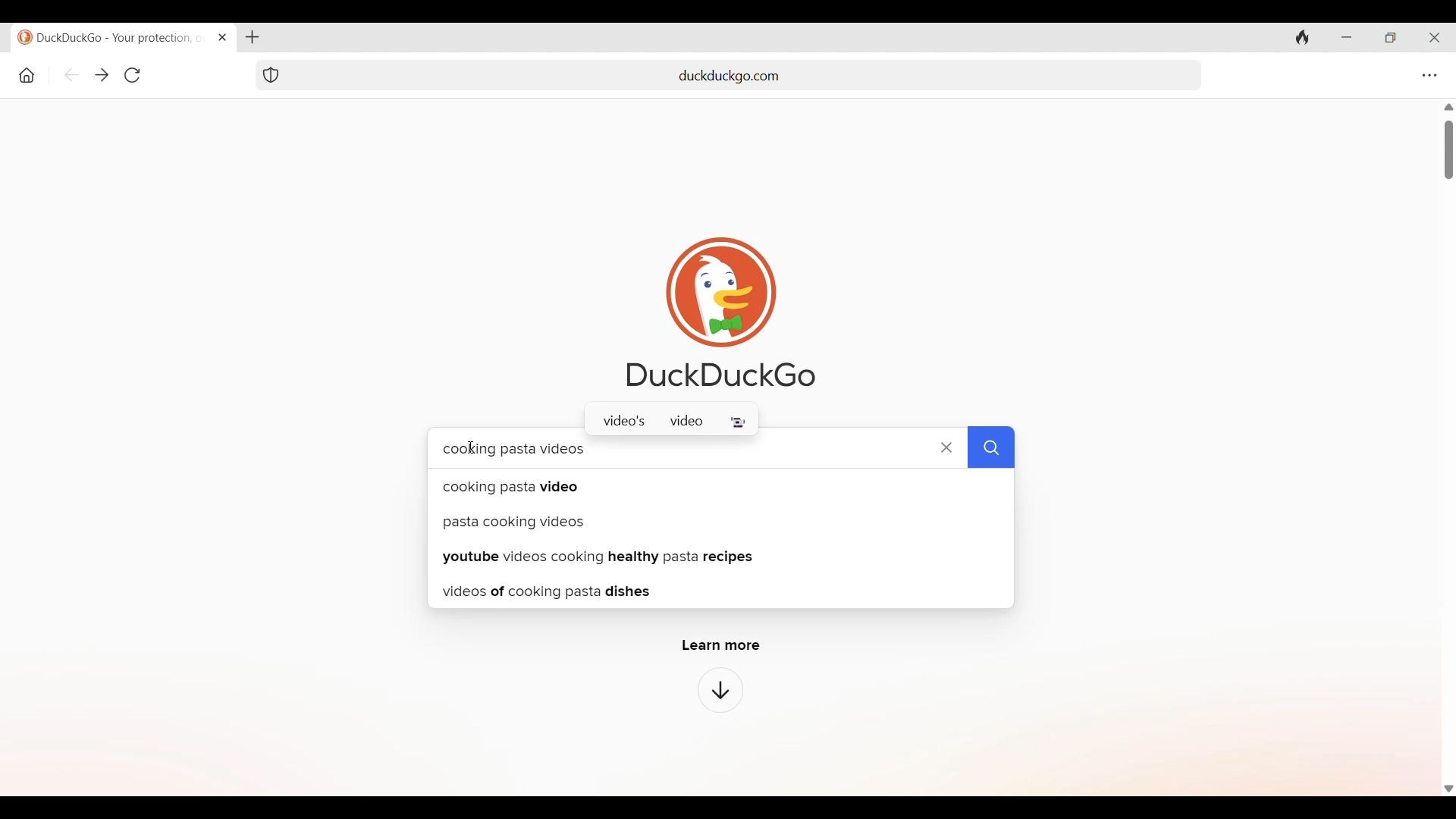 Image resolution: width=1456 pixels, height=819 pixels. I want to click on Close browser, so click(1435, 38).